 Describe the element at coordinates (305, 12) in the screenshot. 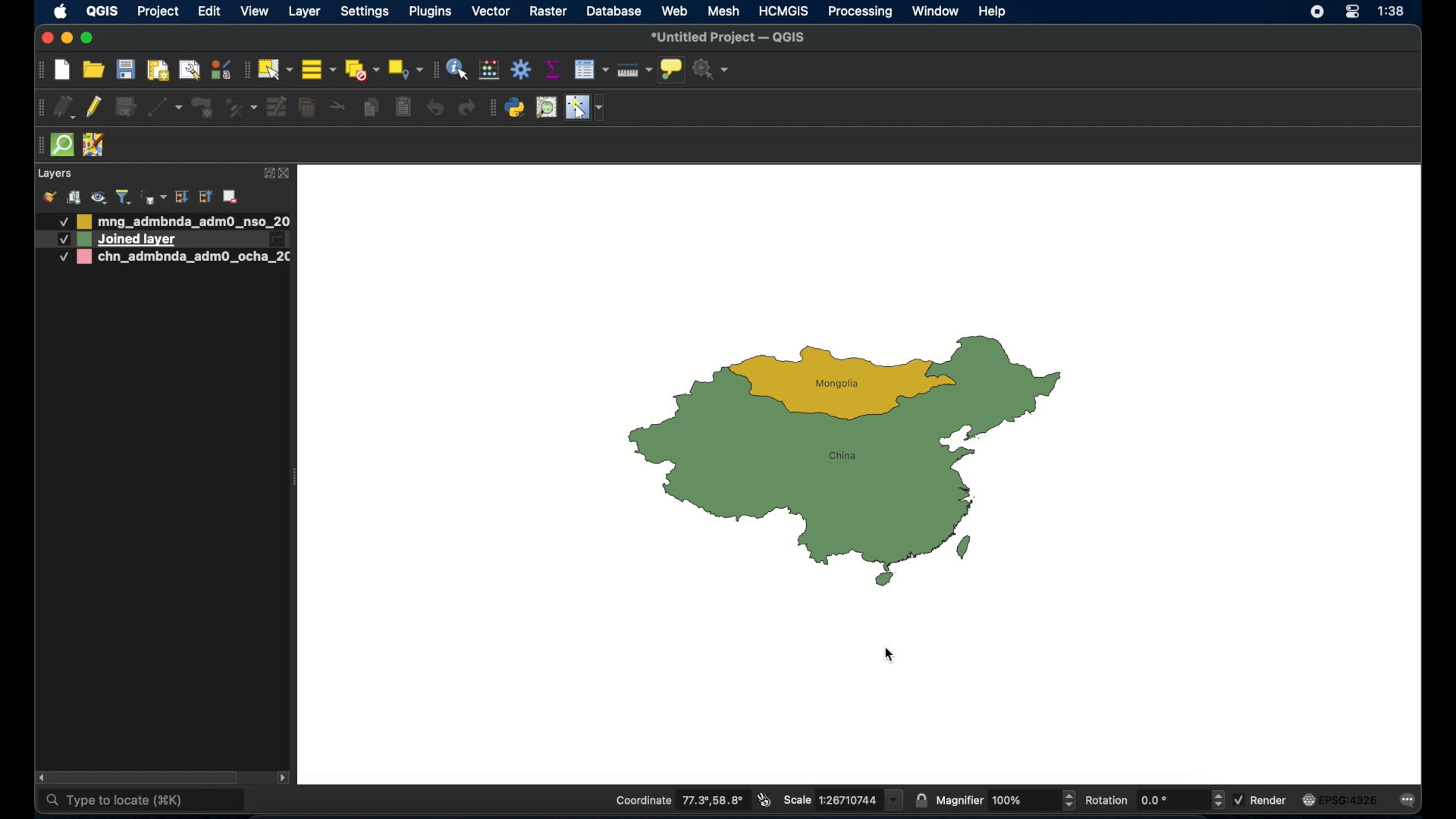

I see `layer` at that location.